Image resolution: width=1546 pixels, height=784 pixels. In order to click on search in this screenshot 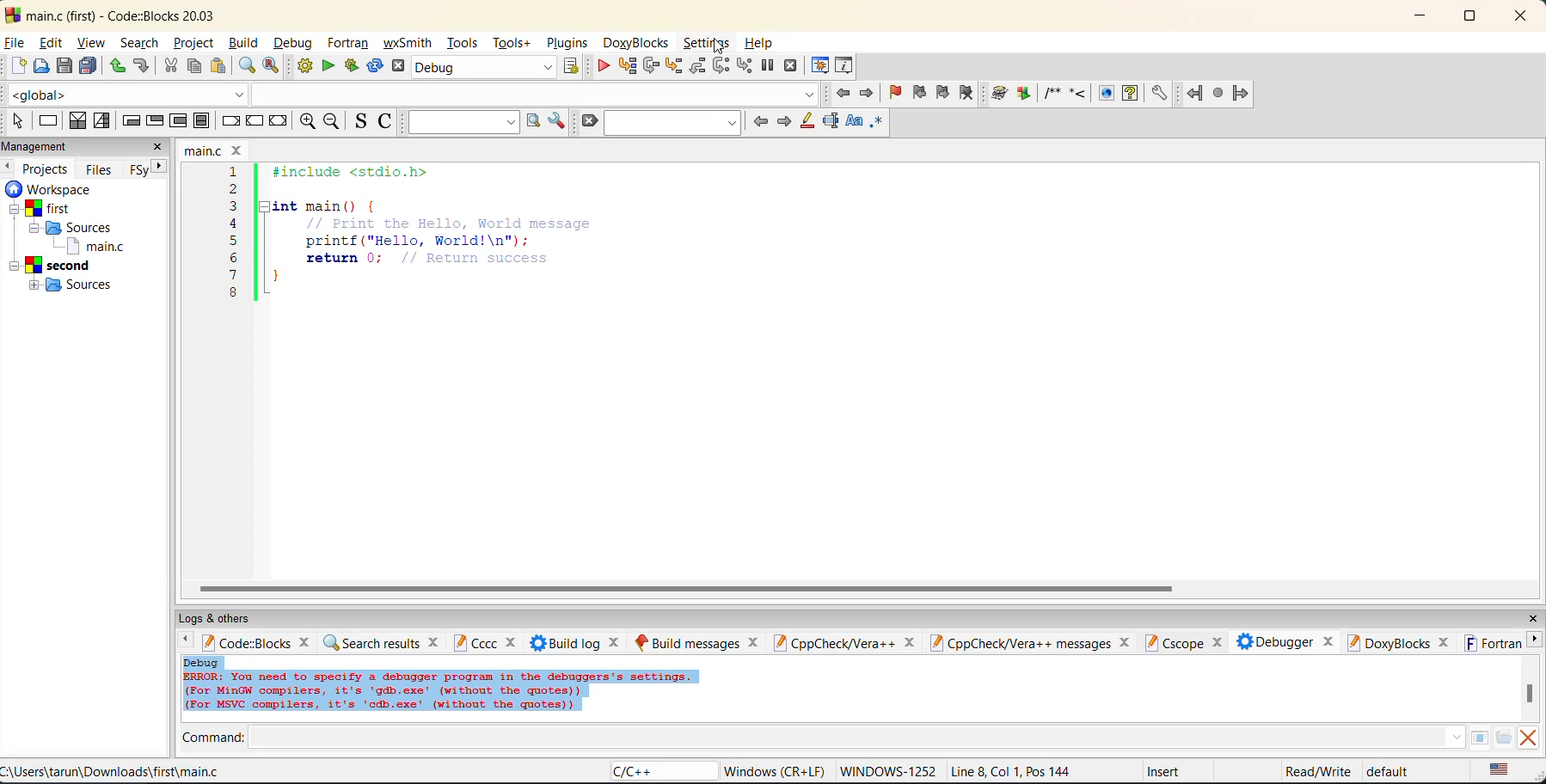, I will do `click(142, 42)`.